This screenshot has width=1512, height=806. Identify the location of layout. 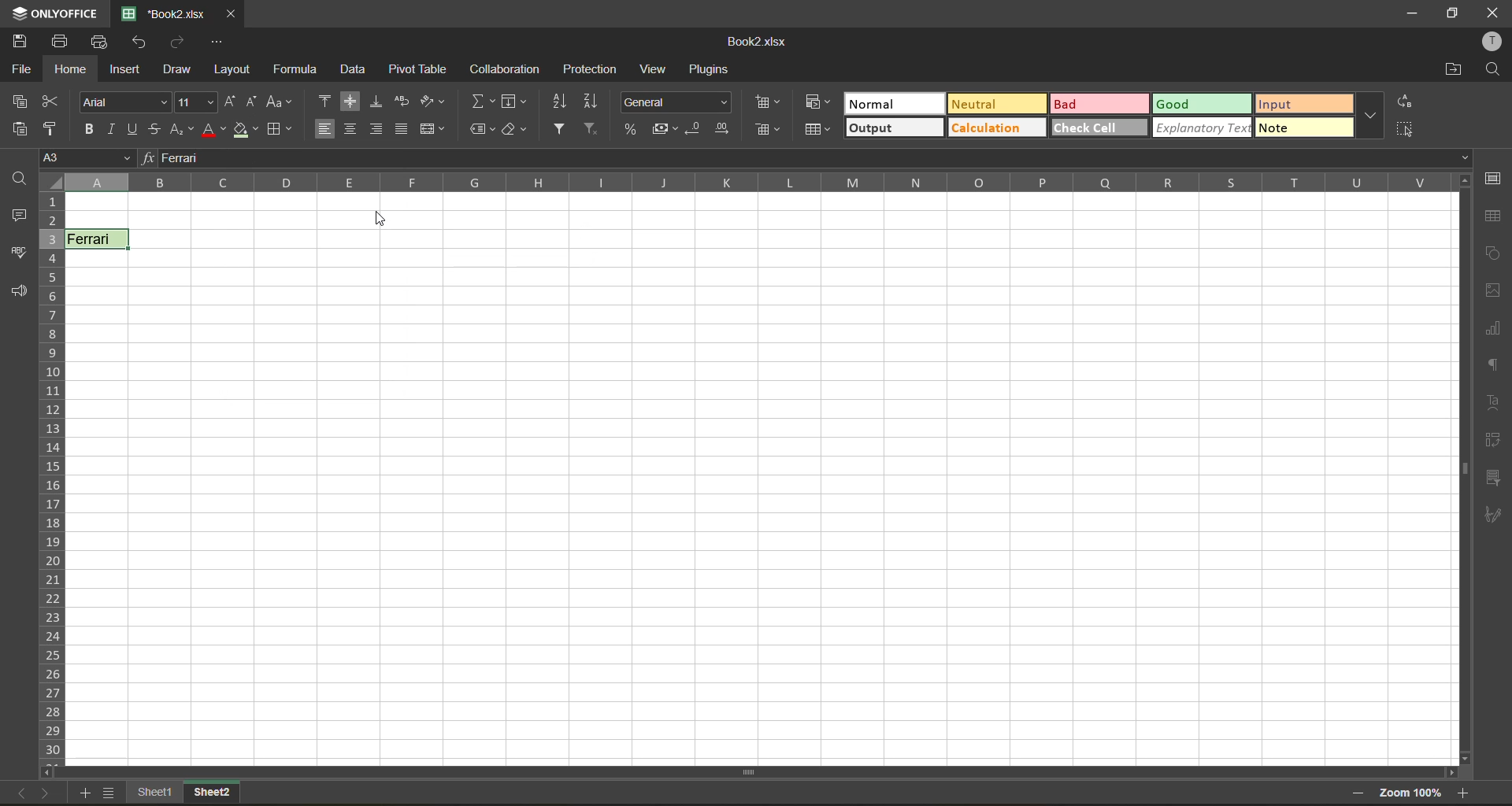
(232, 69).